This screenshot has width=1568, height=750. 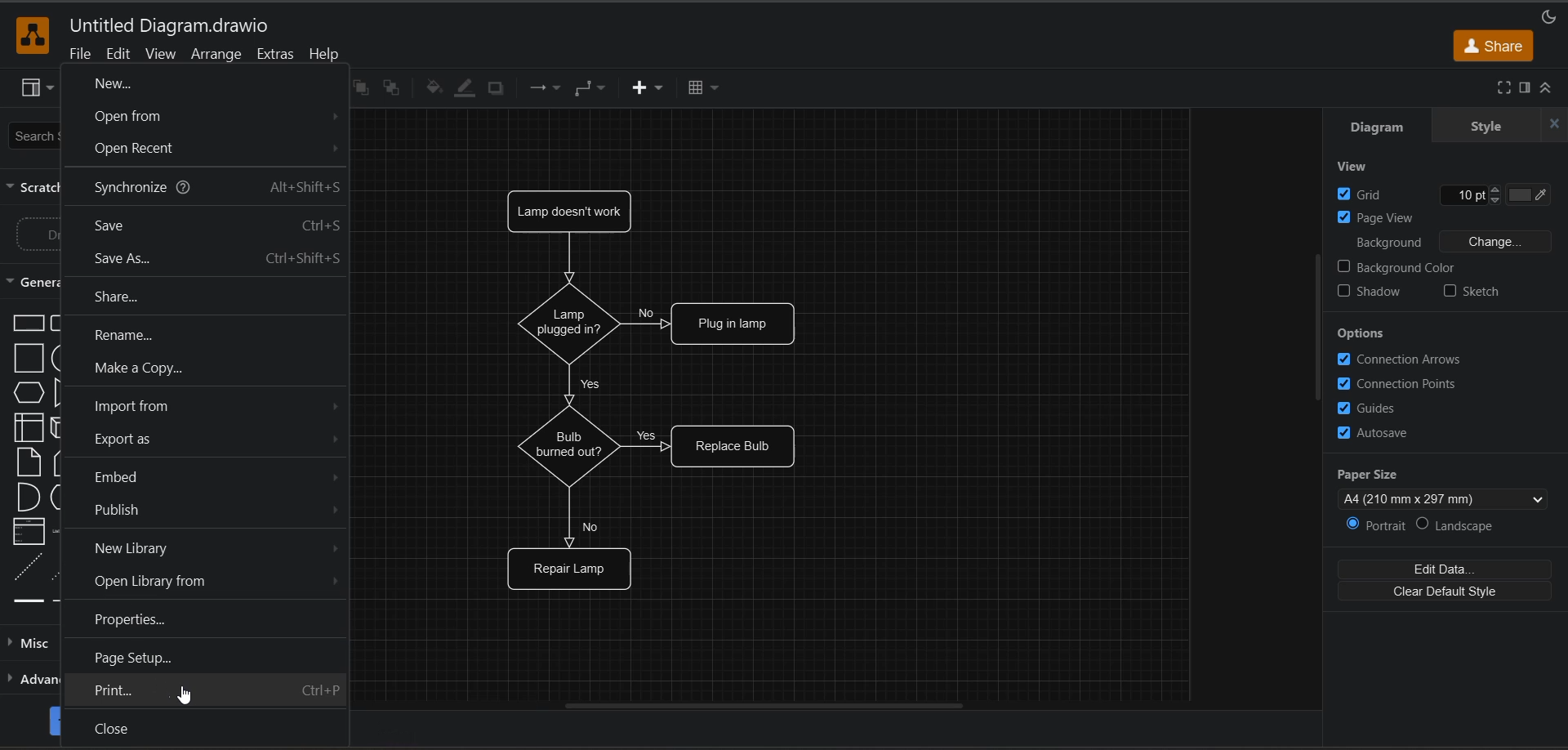 What do you see at coordinates (31, 681) in the screenshot?
I see `advanced` at bounding box center [31, 681].